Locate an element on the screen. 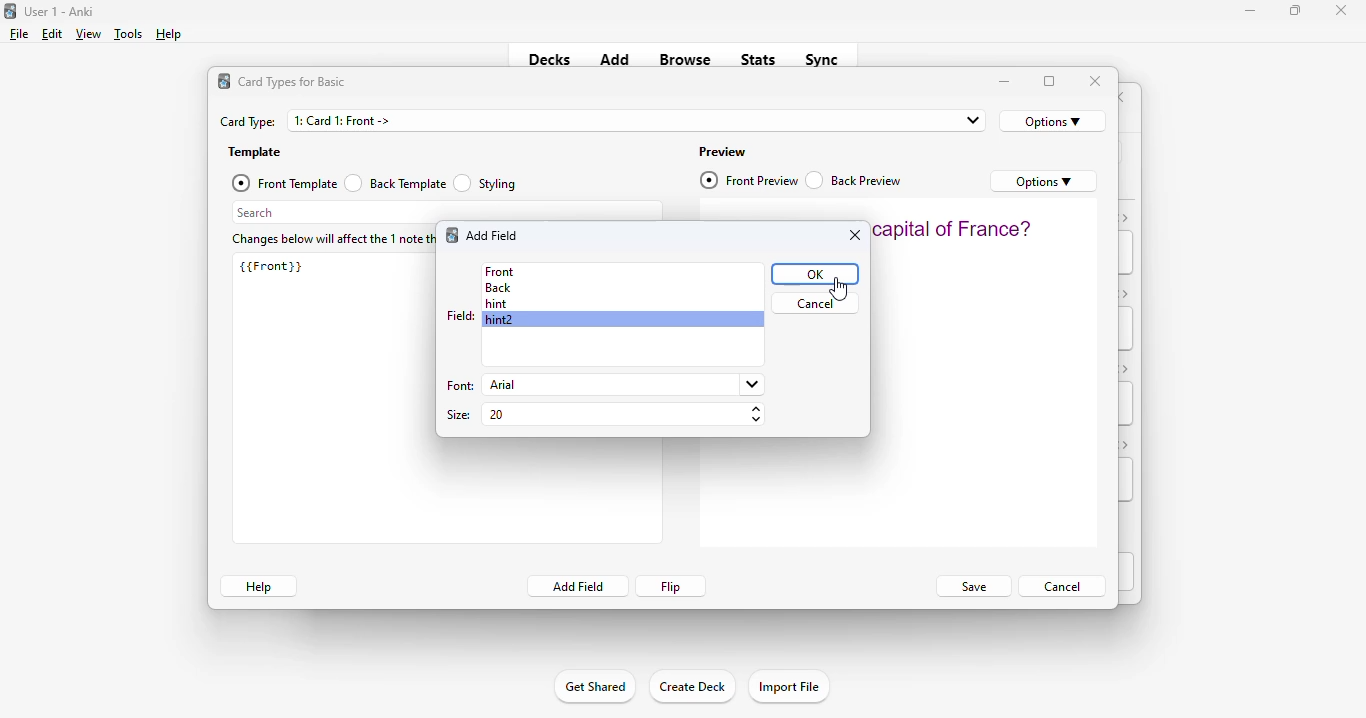  cursor is located at coordinates (838, 289).